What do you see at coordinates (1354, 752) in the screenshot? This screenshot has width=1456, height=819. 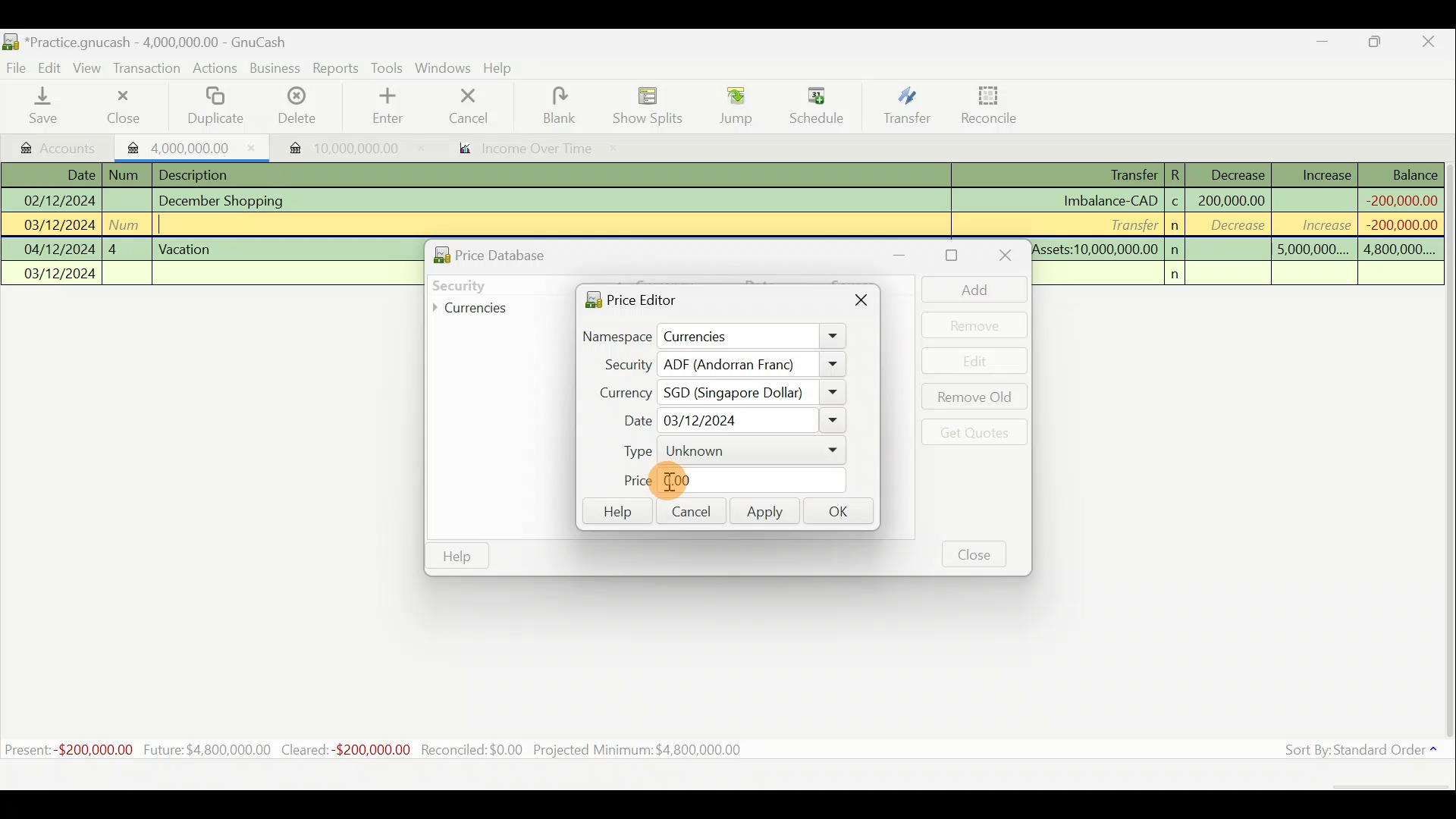 I see `Sort by` at bounding box center [1354, 752].